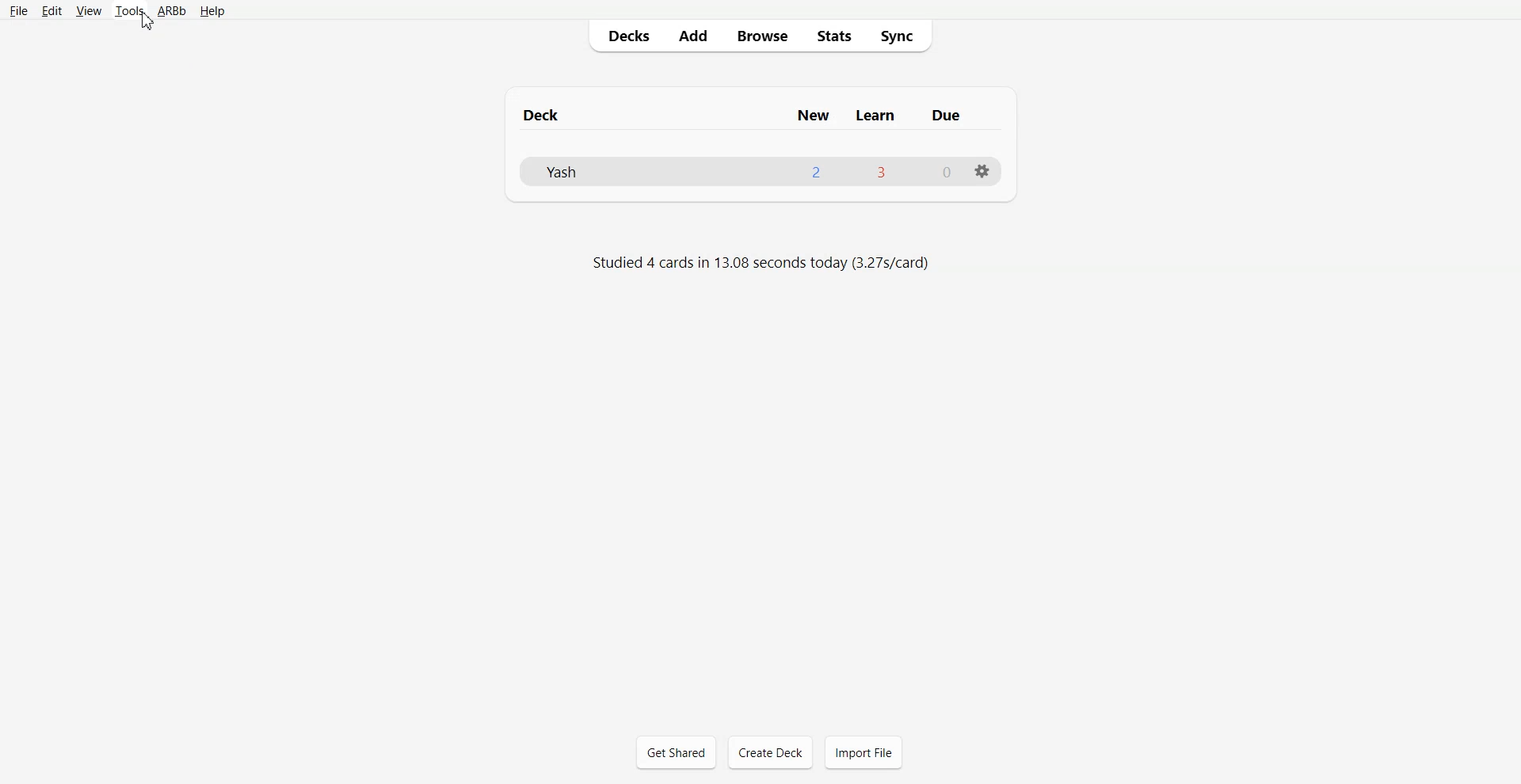  Describe the element at coordinates (172, 11) in the screenshot. I see `ARBb` at that location.